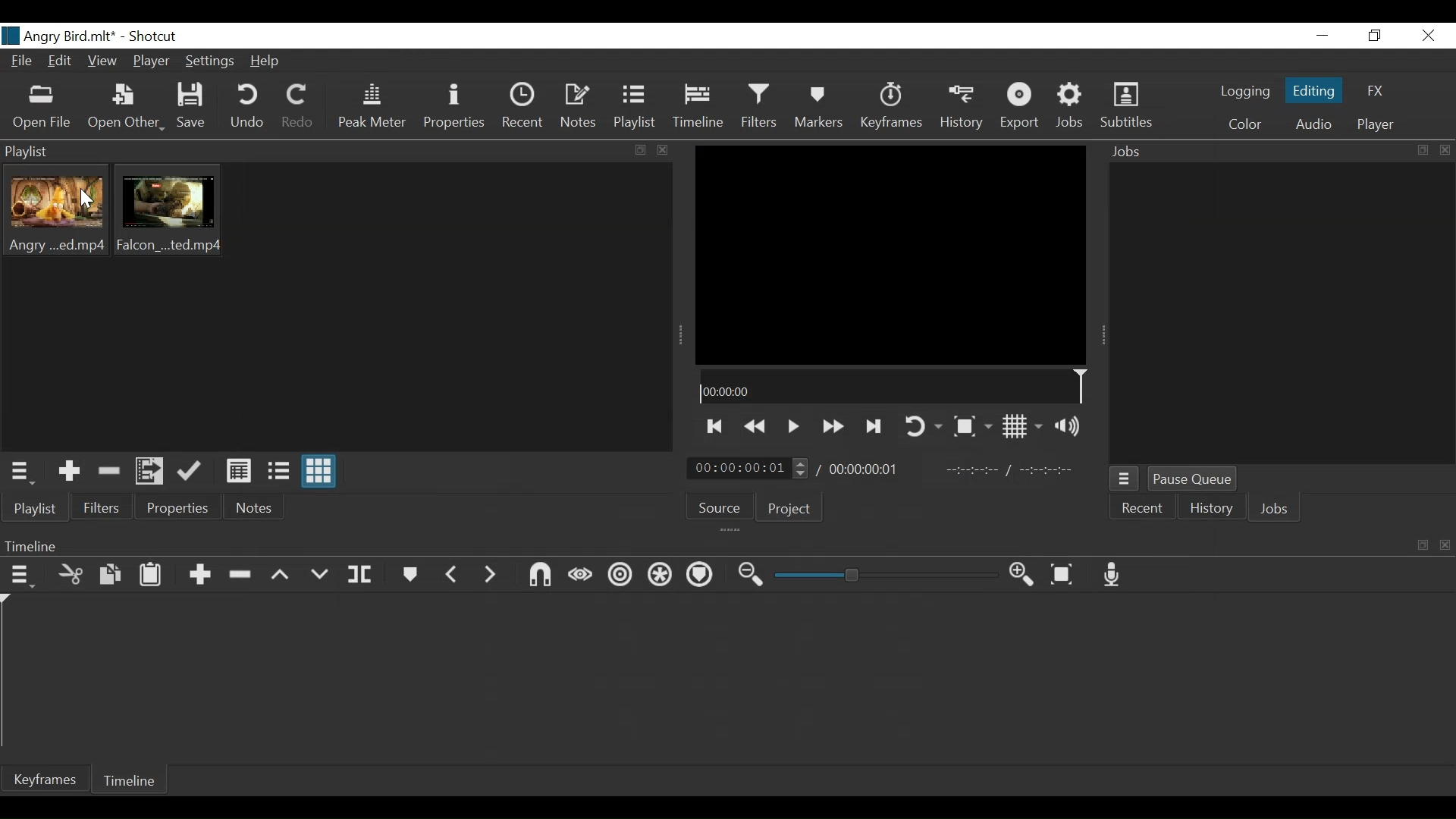  Describe the element at coordinates (1377, 125) in the screenshot. I see `Player` at that location.